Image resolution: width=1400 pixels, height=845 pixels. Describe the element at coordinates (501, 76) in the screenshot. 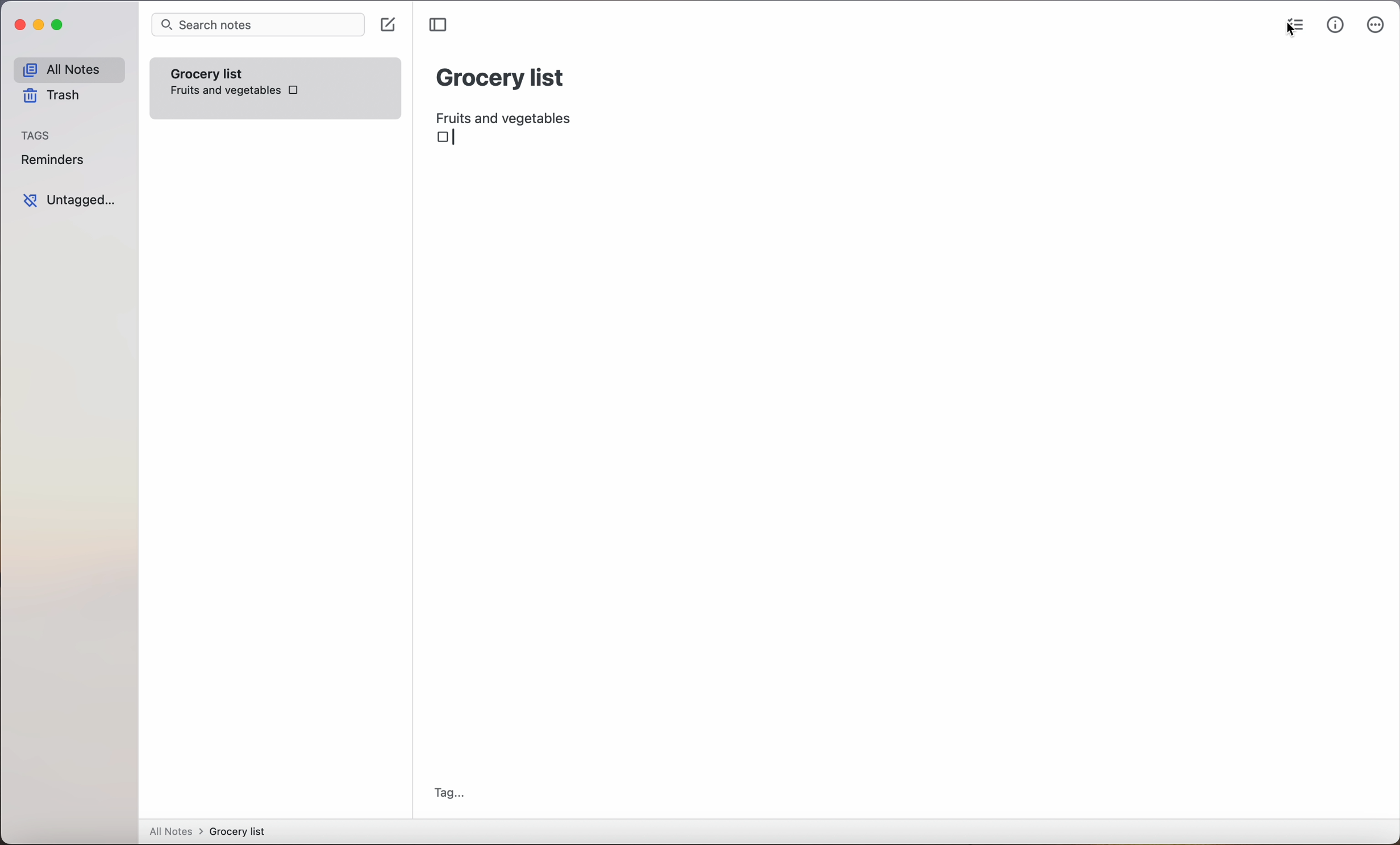

I see `grocery list` at that location.